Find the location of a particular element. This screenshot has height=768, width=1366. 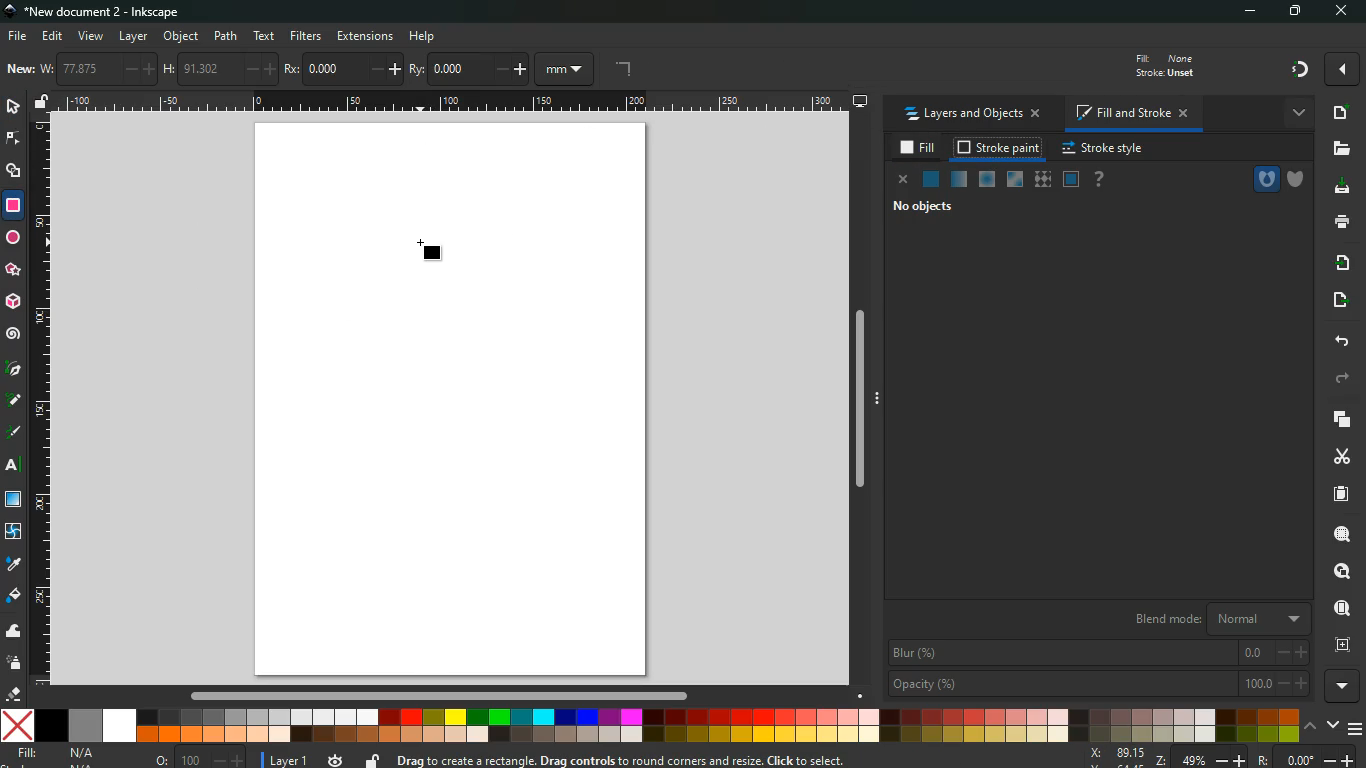

menu is located at coordinates (1356, 729).